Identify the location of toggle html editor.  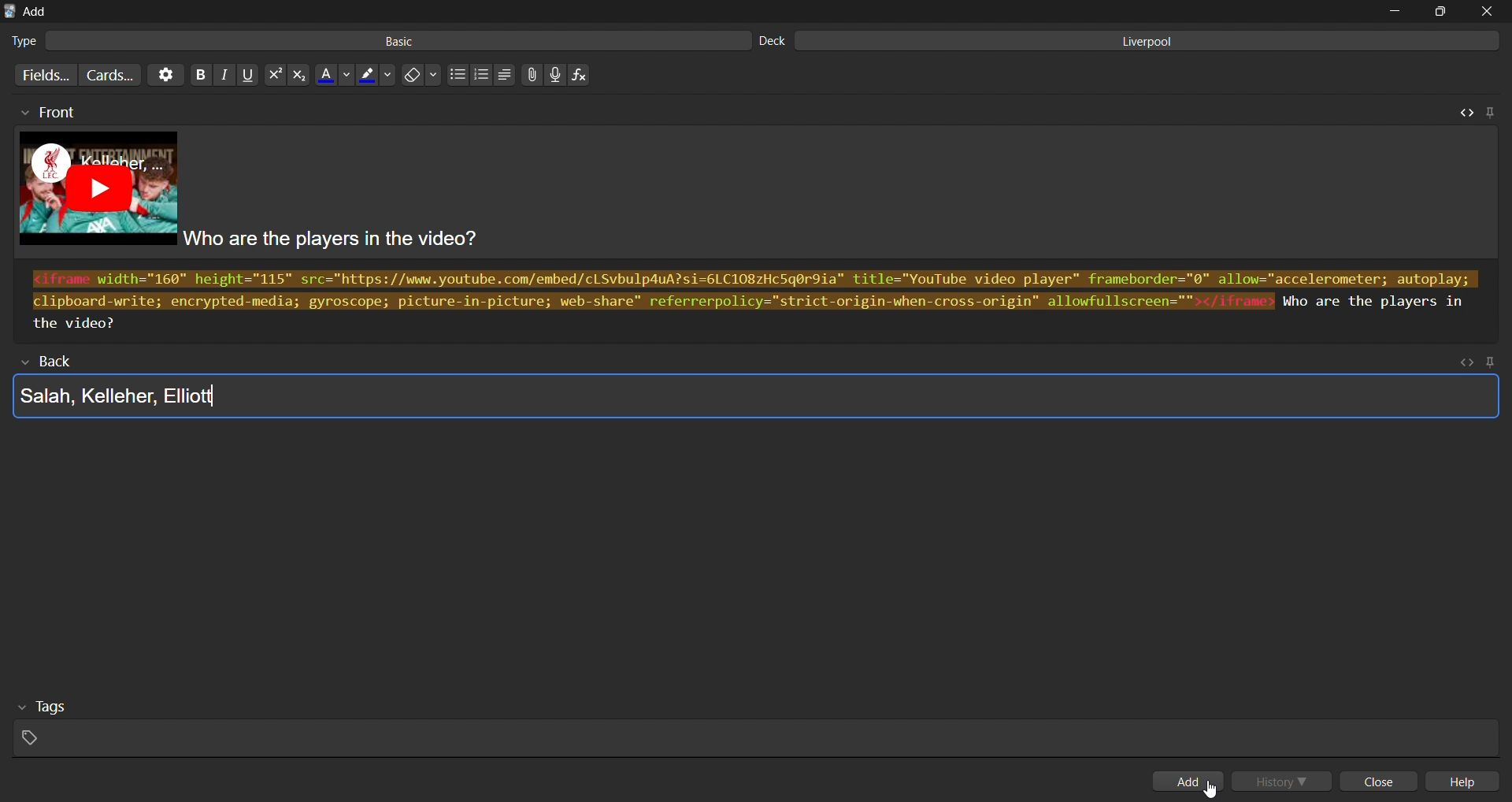
(1463, 111).